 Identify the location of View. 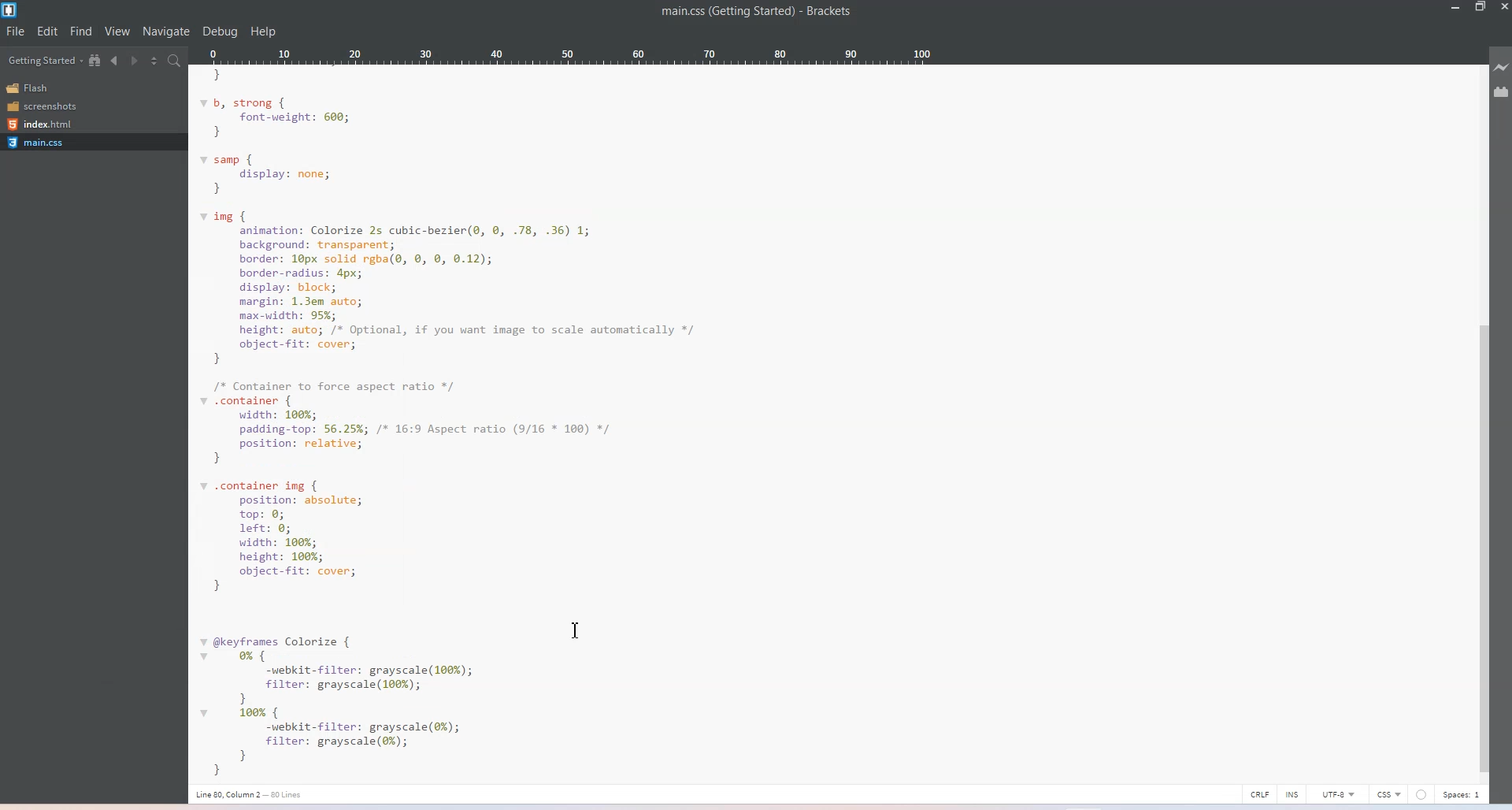
(117, 31).